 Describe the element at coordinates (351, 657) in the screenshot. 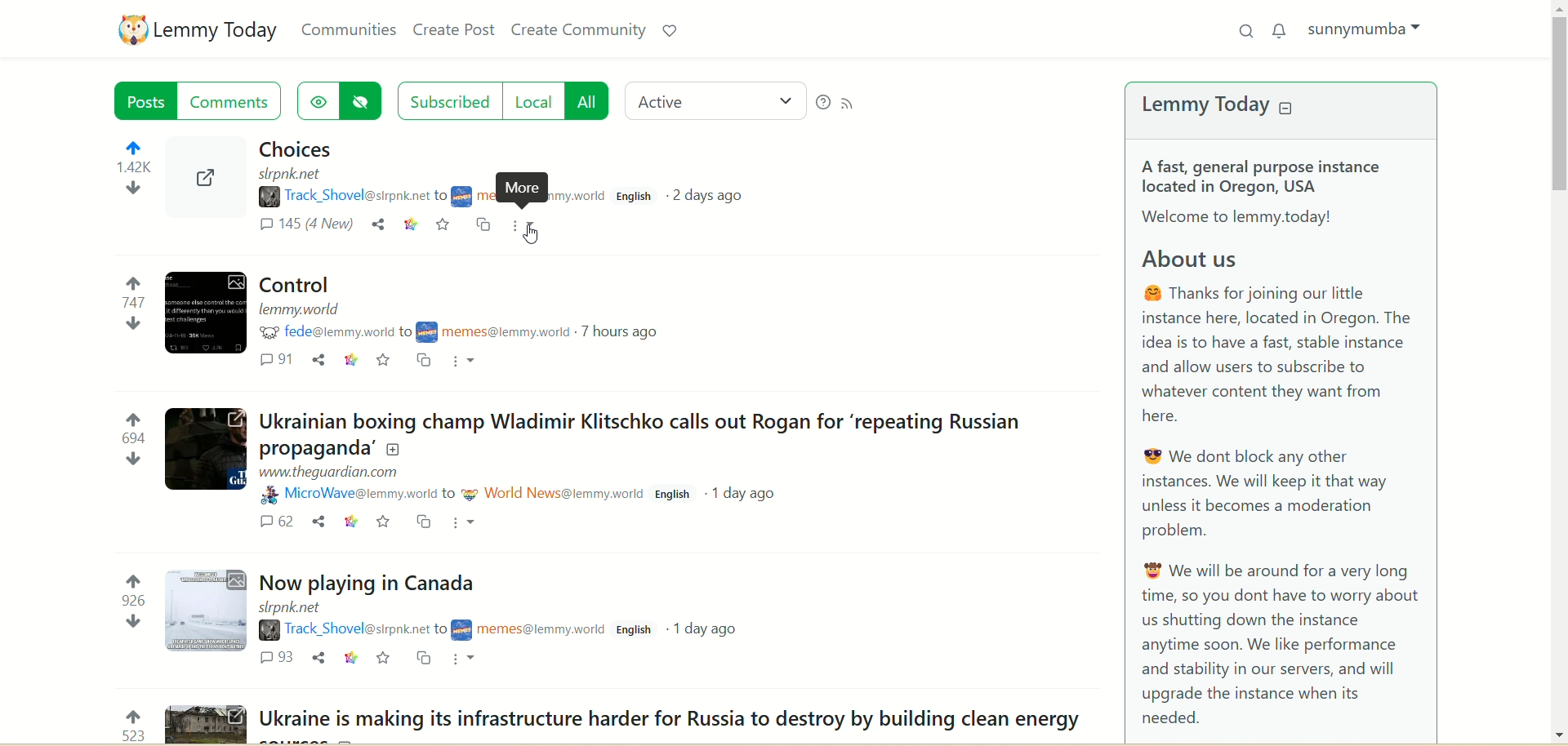

I see `link` at that location.